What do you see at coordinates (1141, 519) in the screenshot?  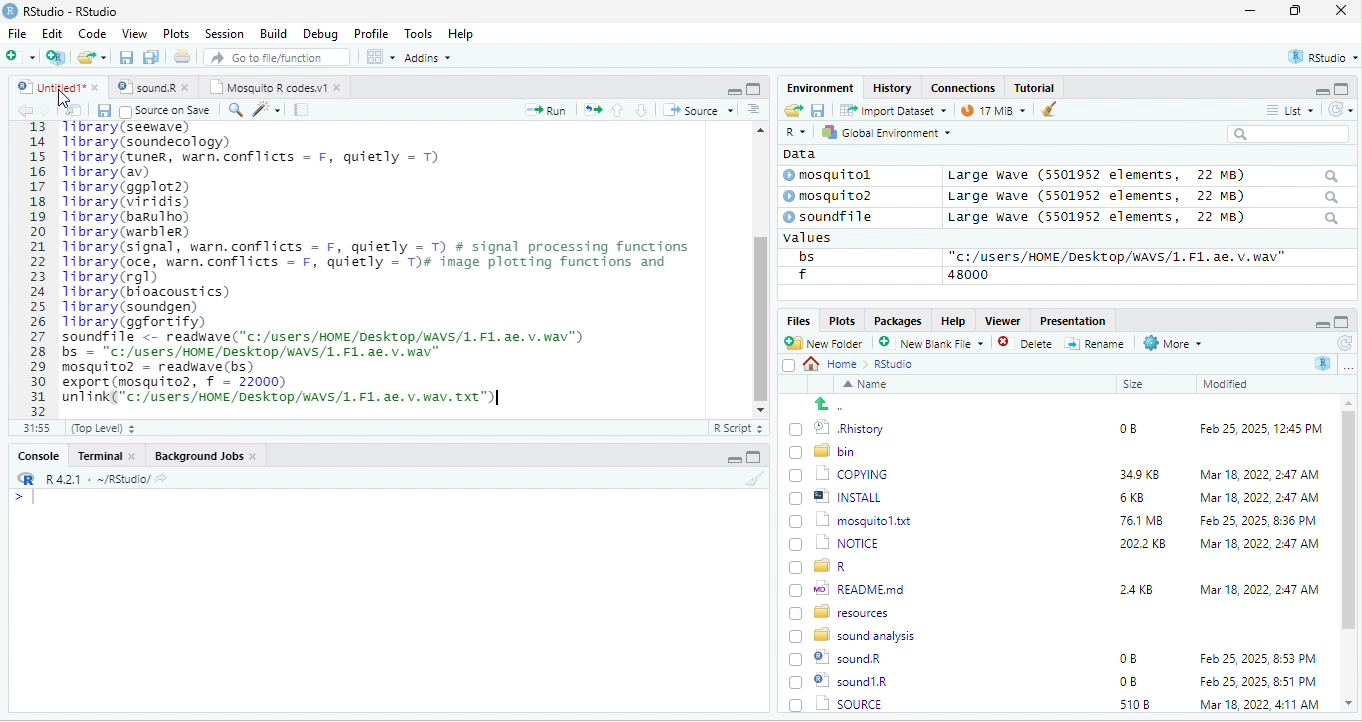 I see `76.1 MB` at bounding box center [1141, 519].